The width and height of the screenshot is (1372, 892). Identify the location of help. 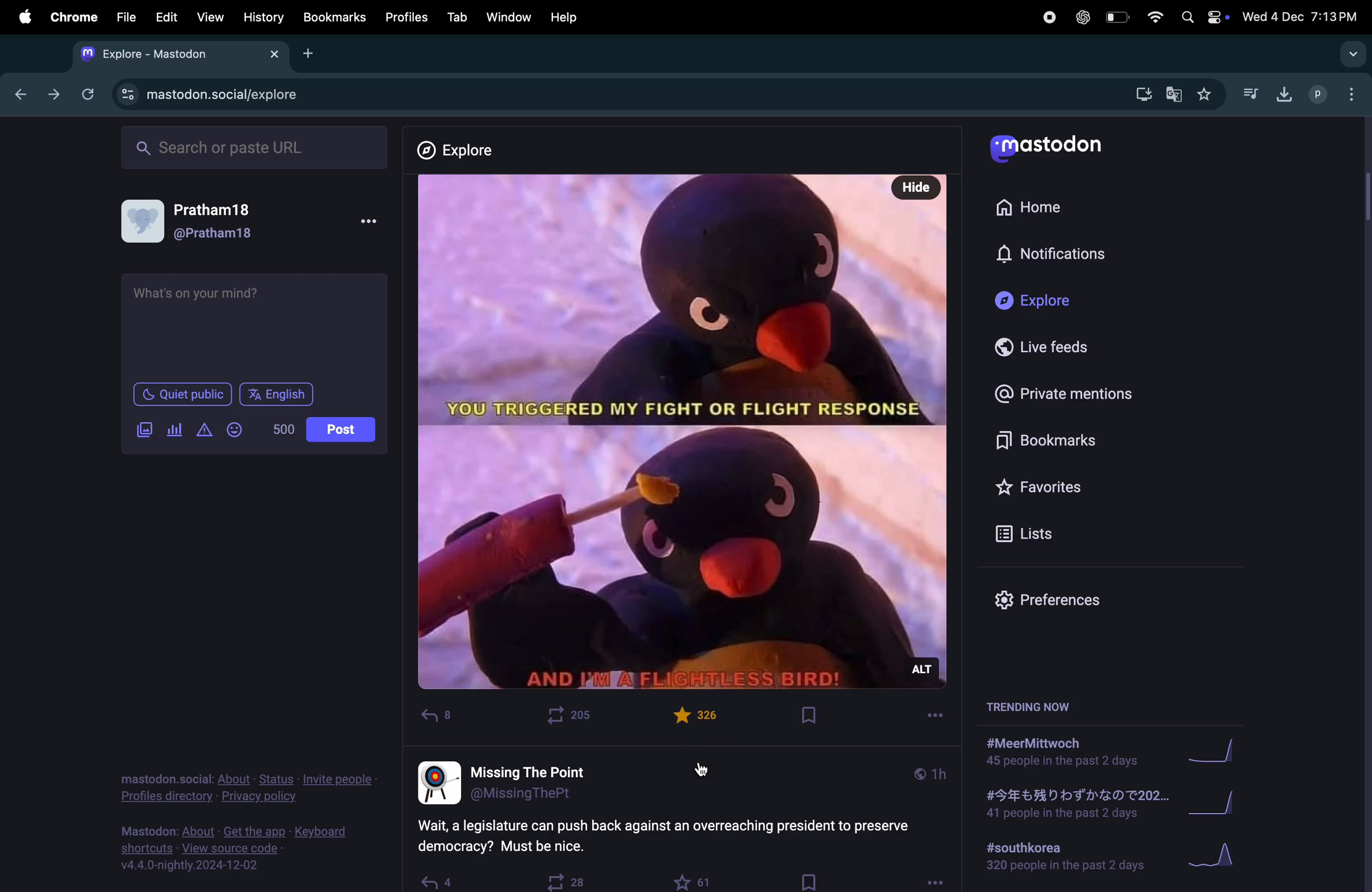
(566, 16).